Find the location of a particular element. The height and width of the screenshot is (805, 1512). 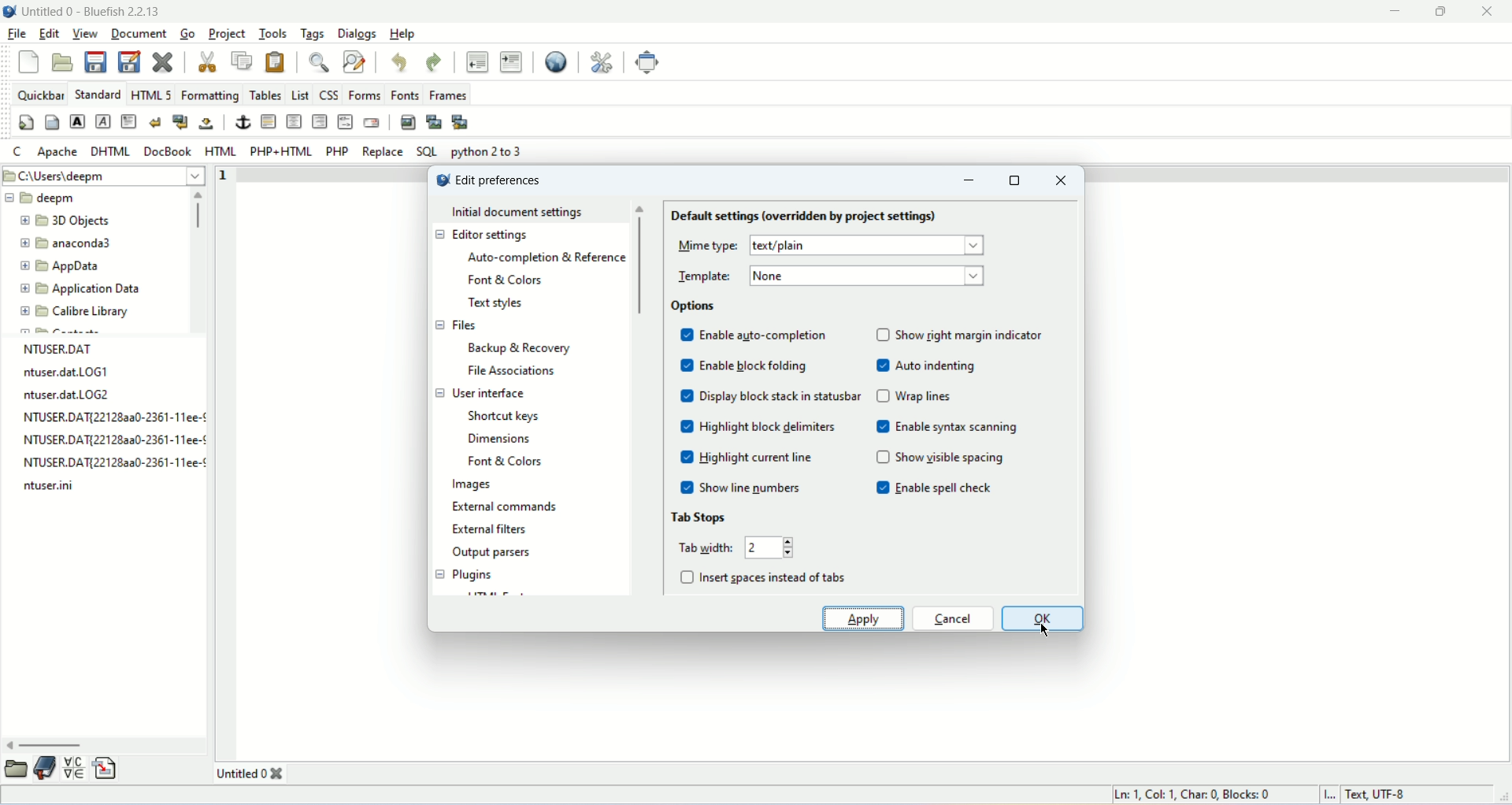

vertical scroll bar is located at coordinates (643, 264).